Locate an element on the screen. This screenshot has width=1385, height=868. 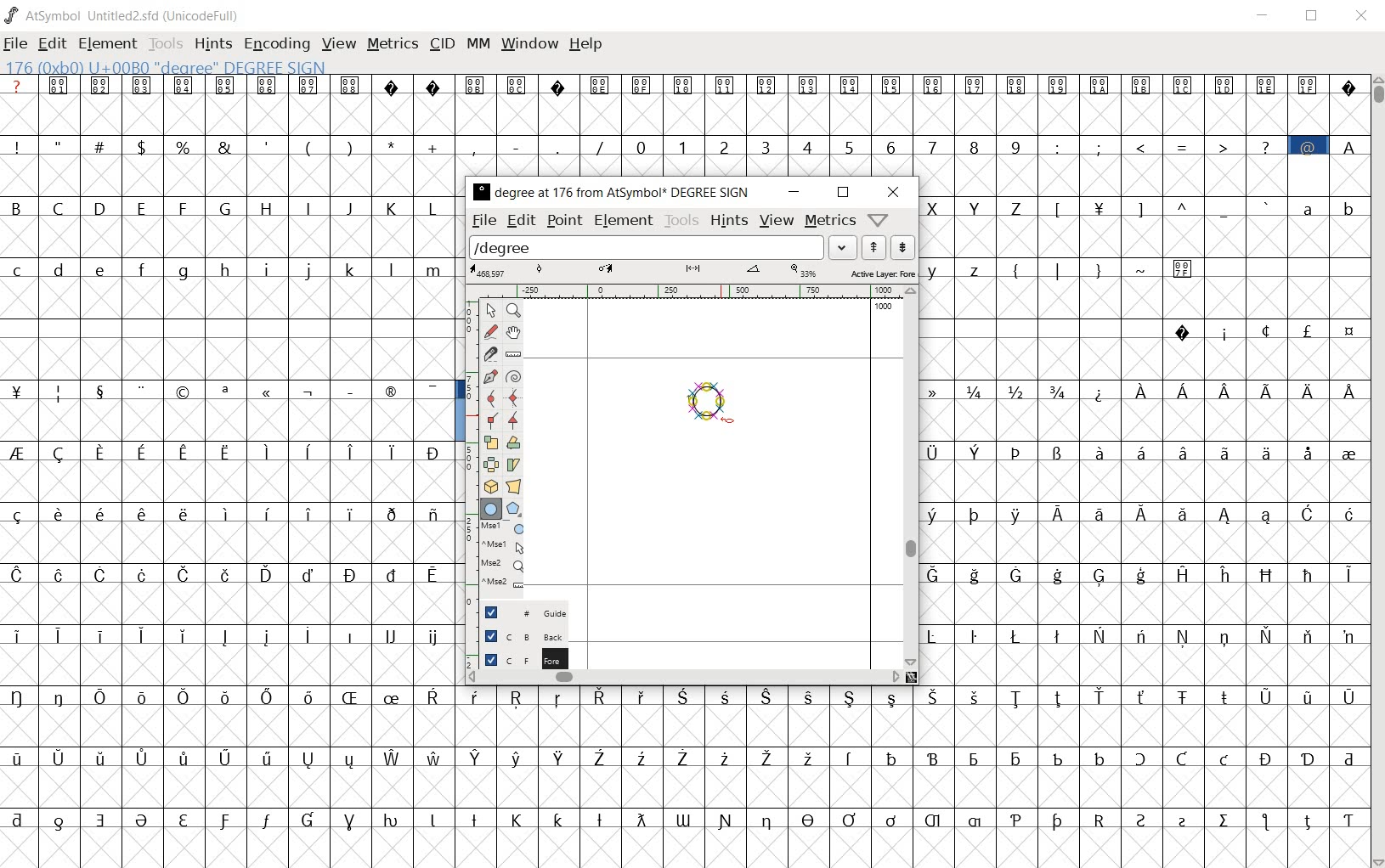
empty glyph slots is located at coordinates (229, 178).